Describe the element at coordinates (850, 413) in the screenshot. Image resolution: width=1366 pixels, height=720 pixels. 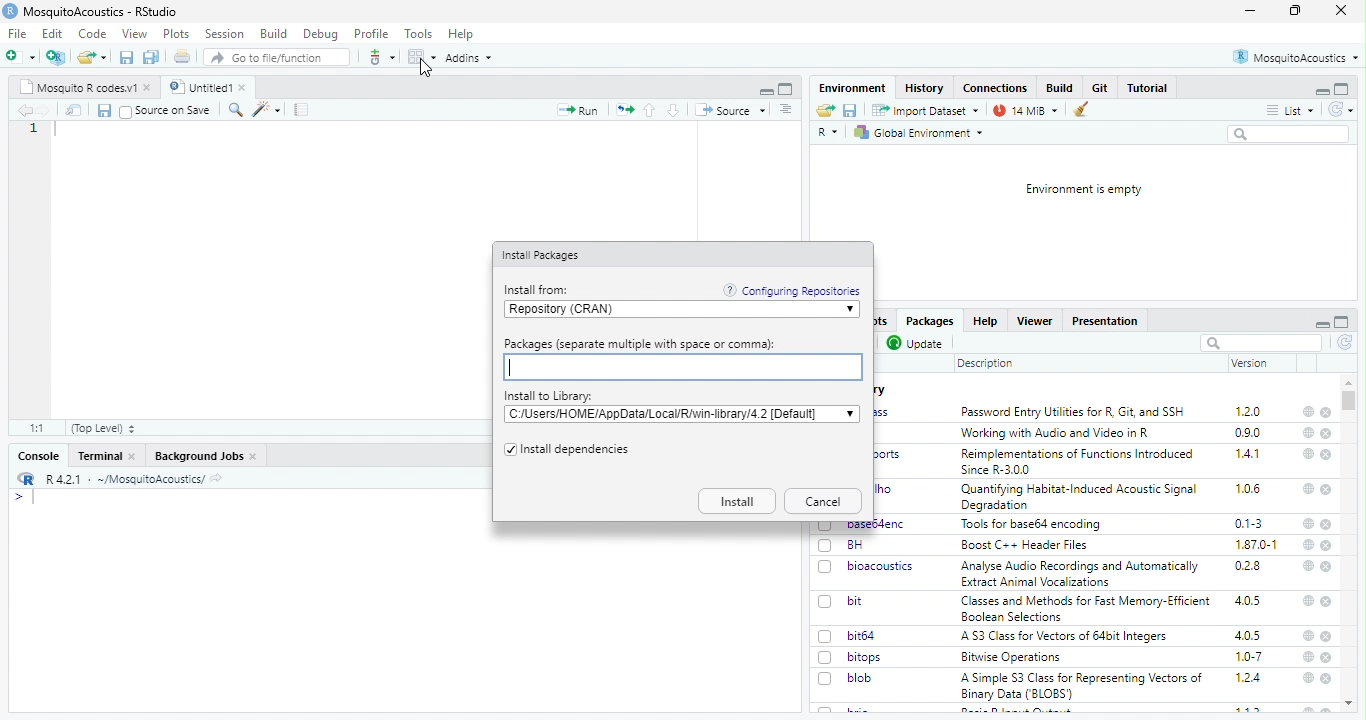
I see `Drop-down ` at that location.